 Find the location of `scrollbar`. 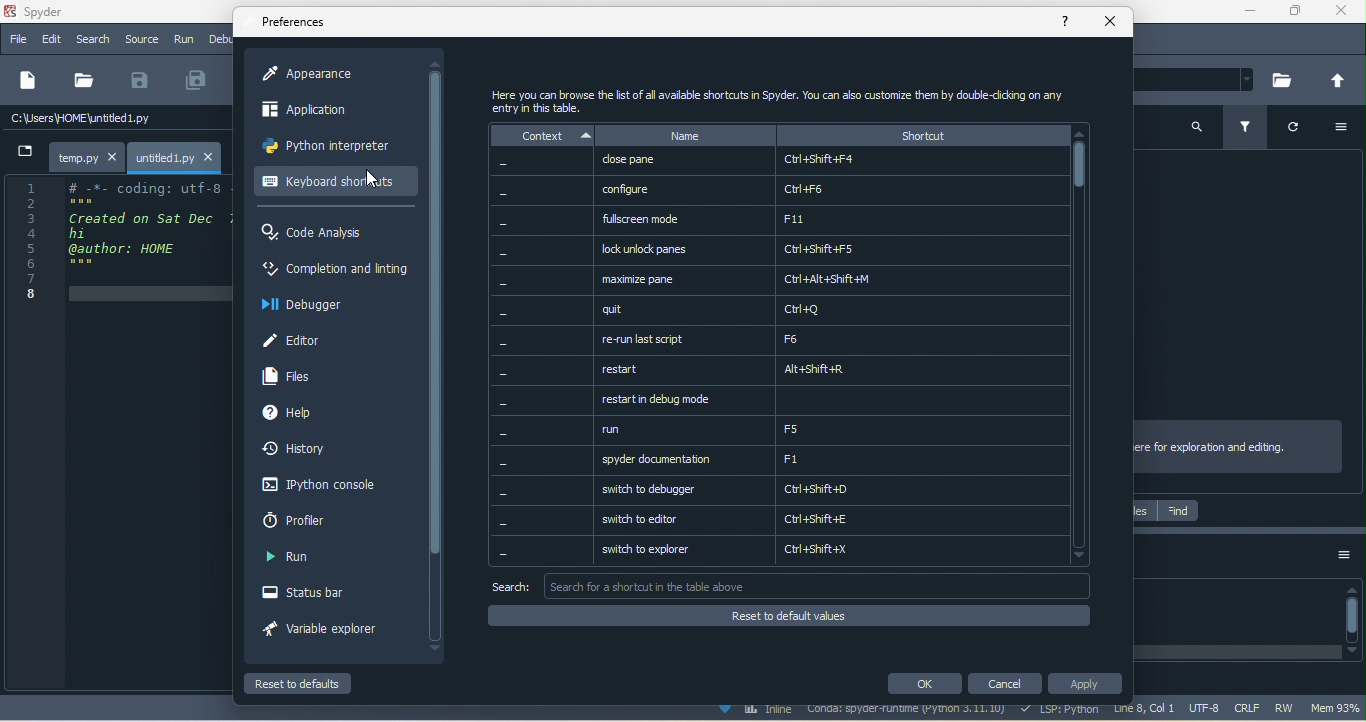

scrollbar is located at coordinates (1084, 345).